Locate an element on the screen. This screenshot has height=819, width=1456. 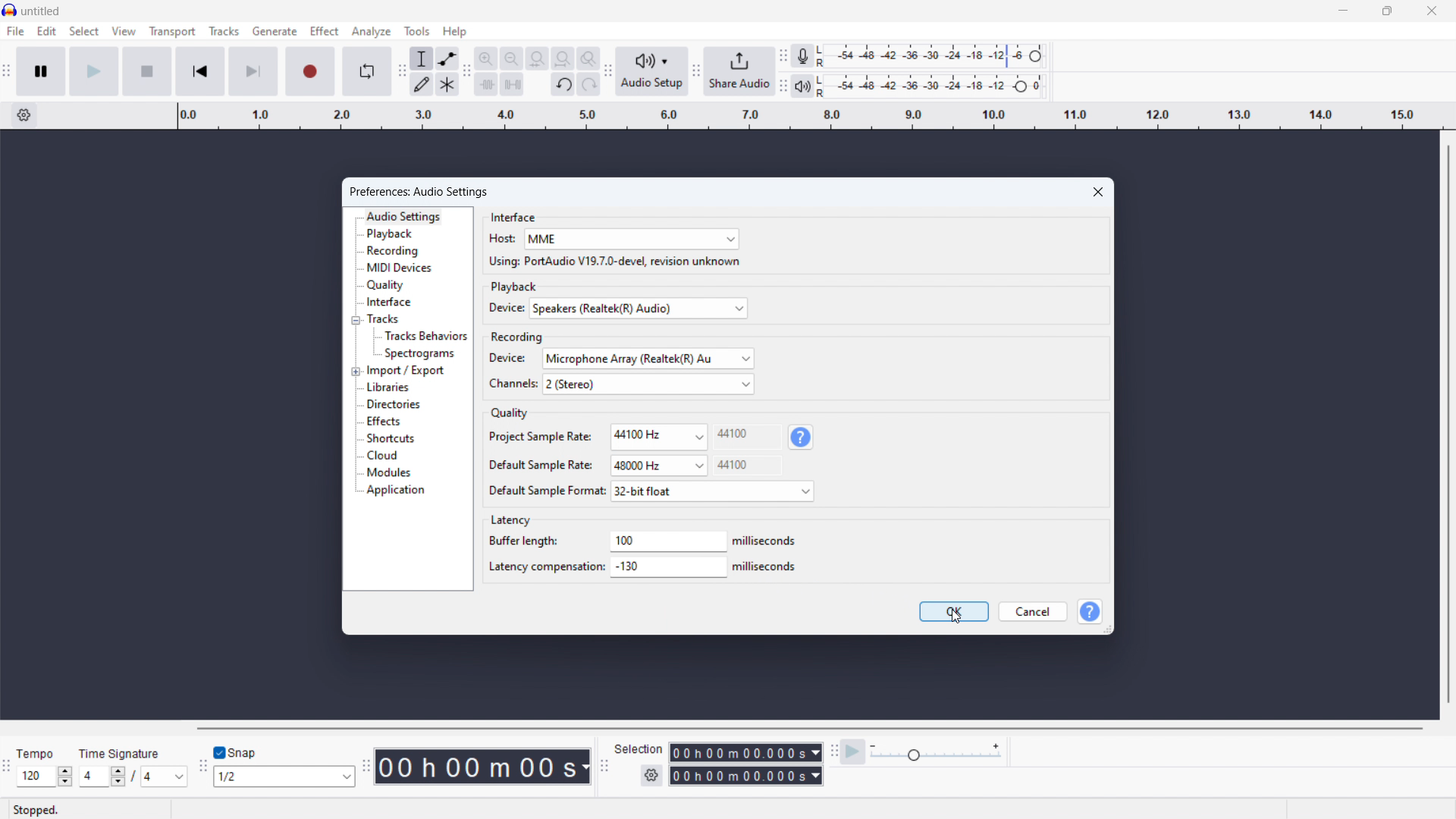
selection tool is located at coordinates (421, 58).